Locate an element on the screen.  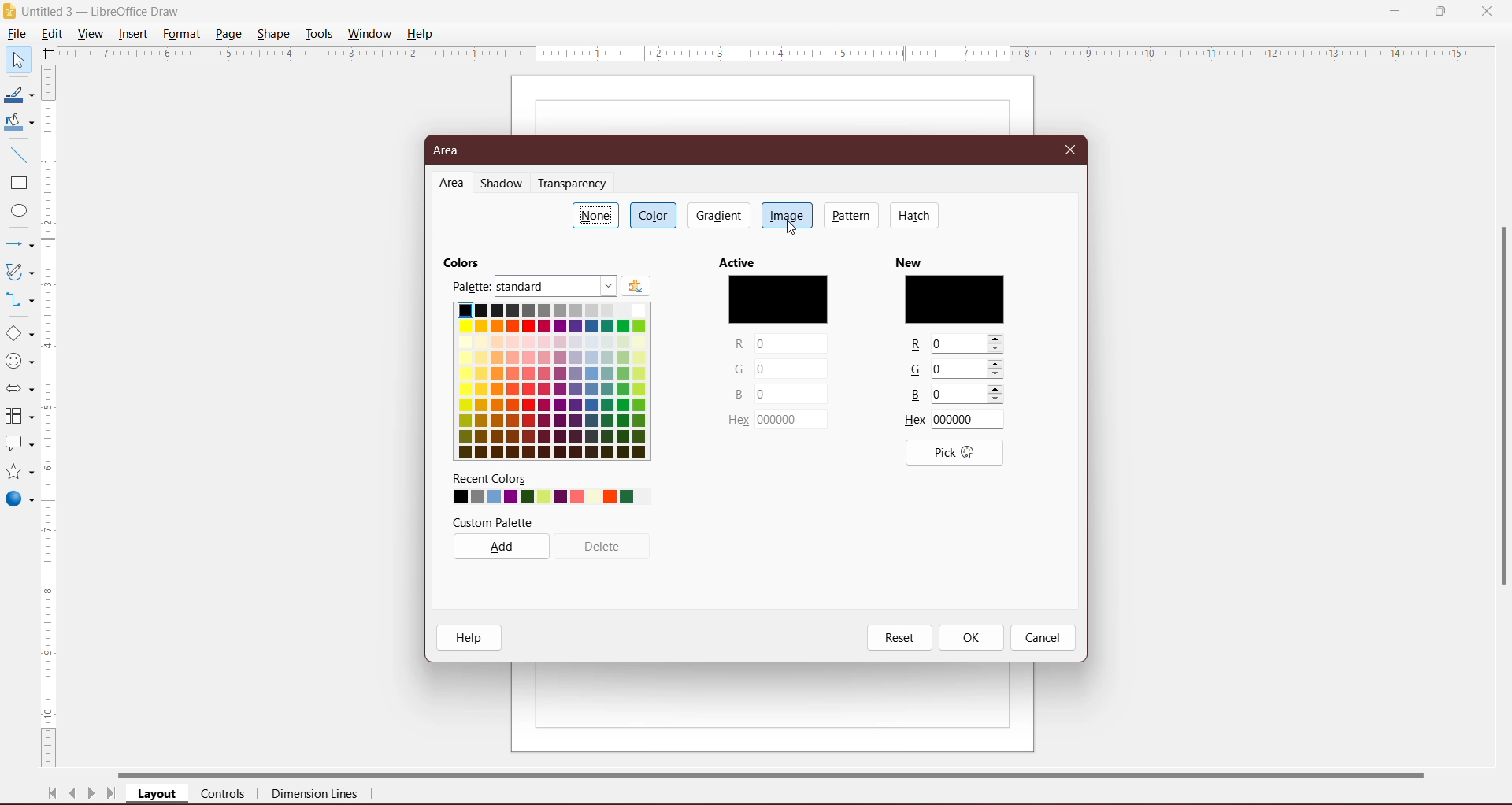
0 is located at coordinates (969, 343).